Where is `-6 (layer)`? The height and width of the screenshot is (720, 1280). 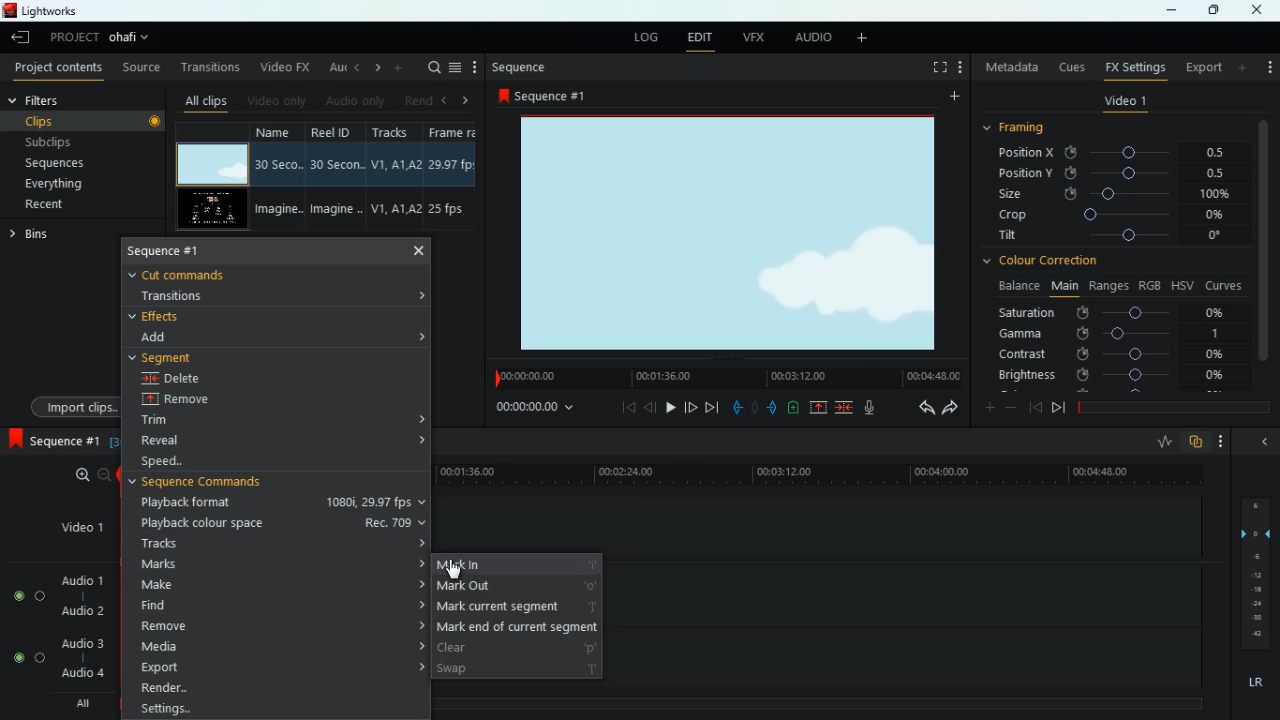 -6 (layer) is located at coordinates (1254, 556).